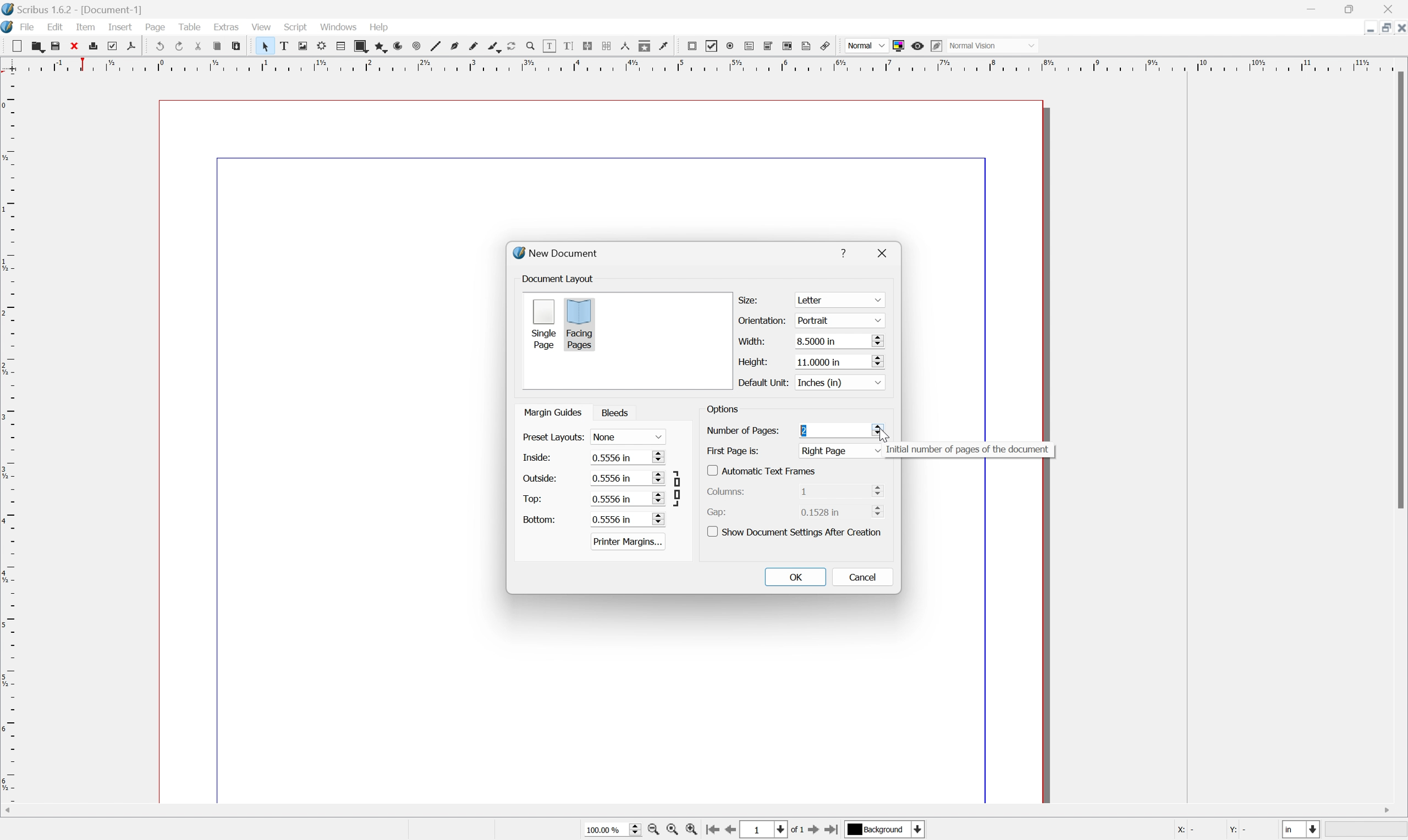 This screenshot has width=1408, height=840. Describe the element at coordinates (769, 45) in the screenshot. I see `pdf combo box` at that location.